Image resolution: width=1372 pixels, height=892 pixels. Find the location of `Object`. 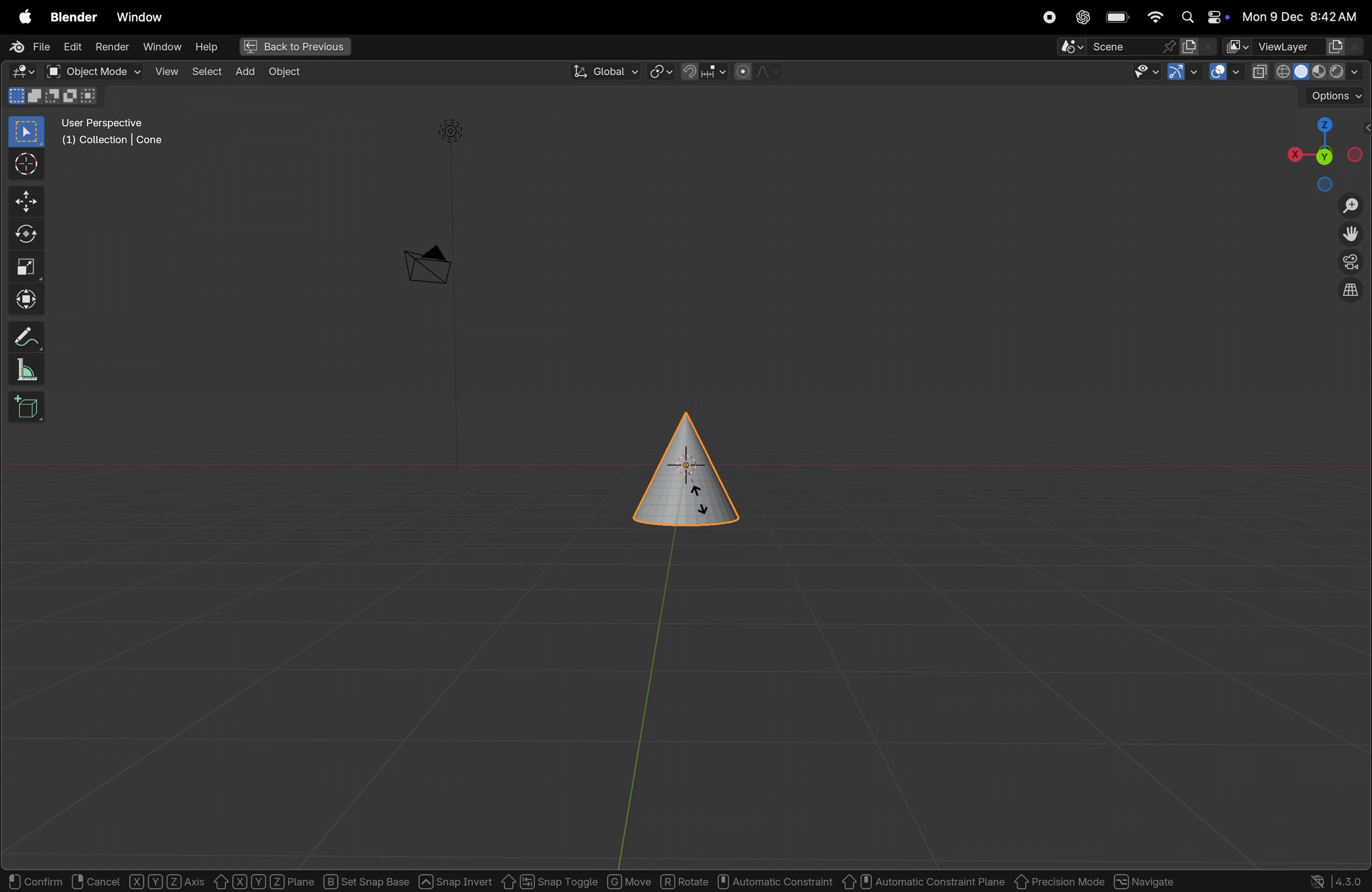

Object is located at coordinates (288, 72).